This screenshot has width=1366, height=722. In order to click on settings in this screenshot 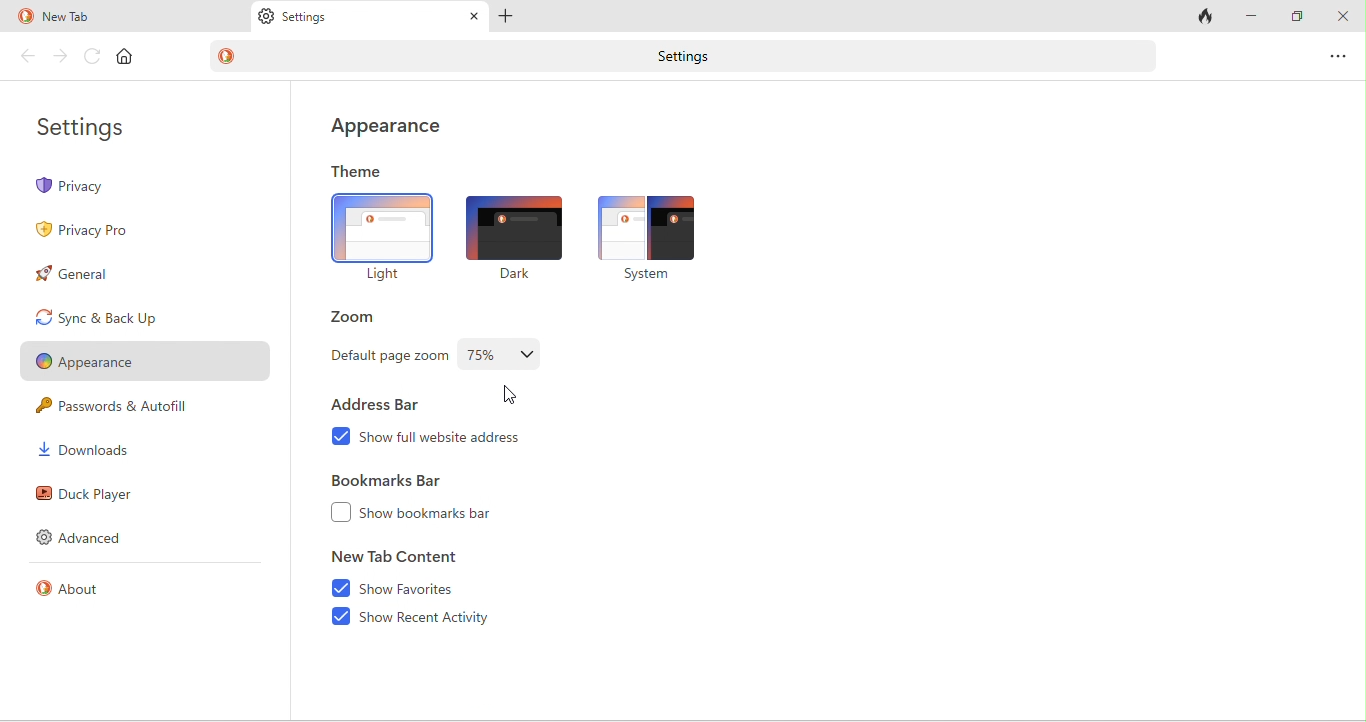, I will do `click(91, 131)`.